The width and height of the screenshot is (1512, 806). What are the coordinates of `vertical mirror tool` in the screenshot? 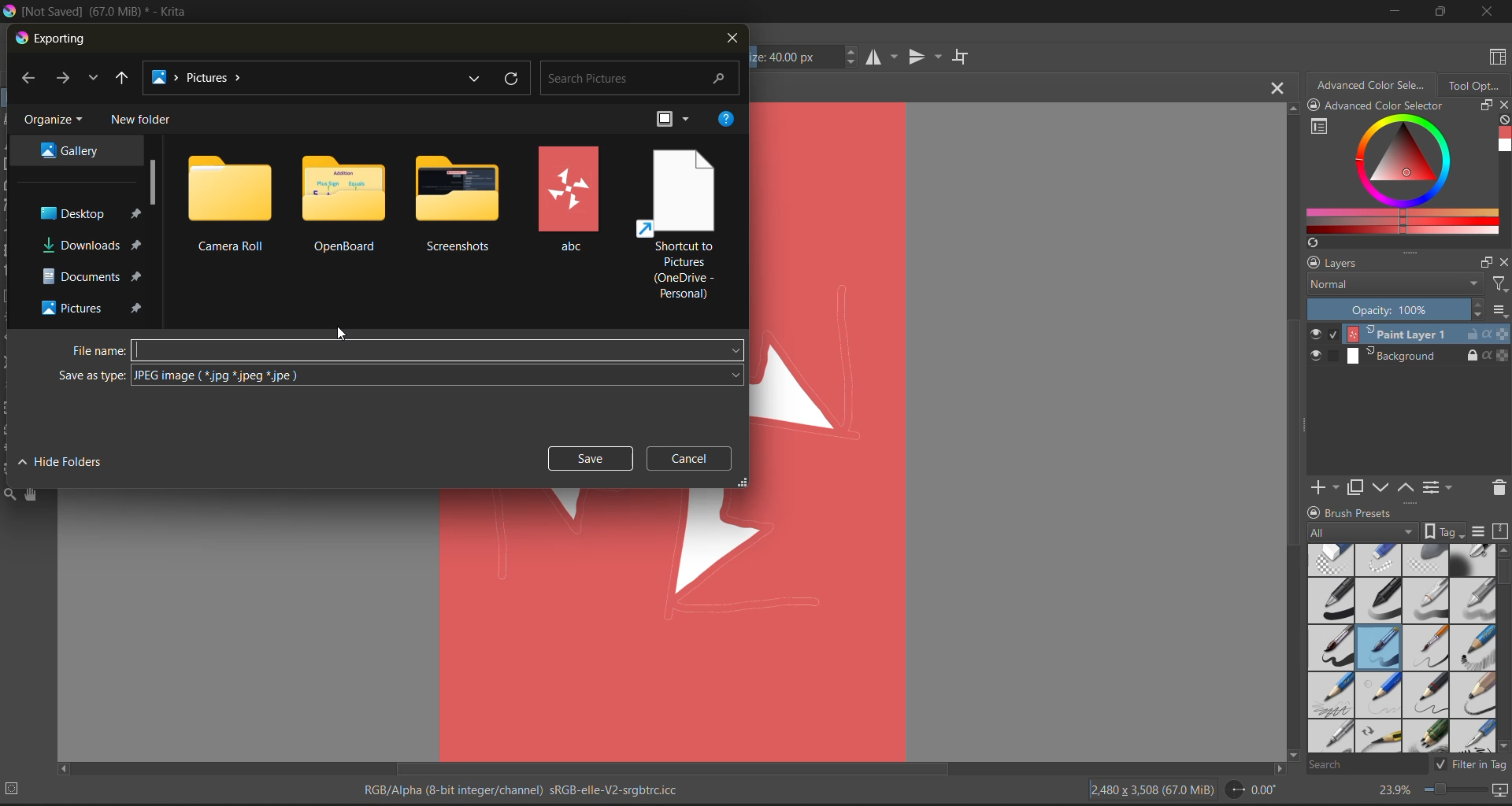 It's located at (926, 57).